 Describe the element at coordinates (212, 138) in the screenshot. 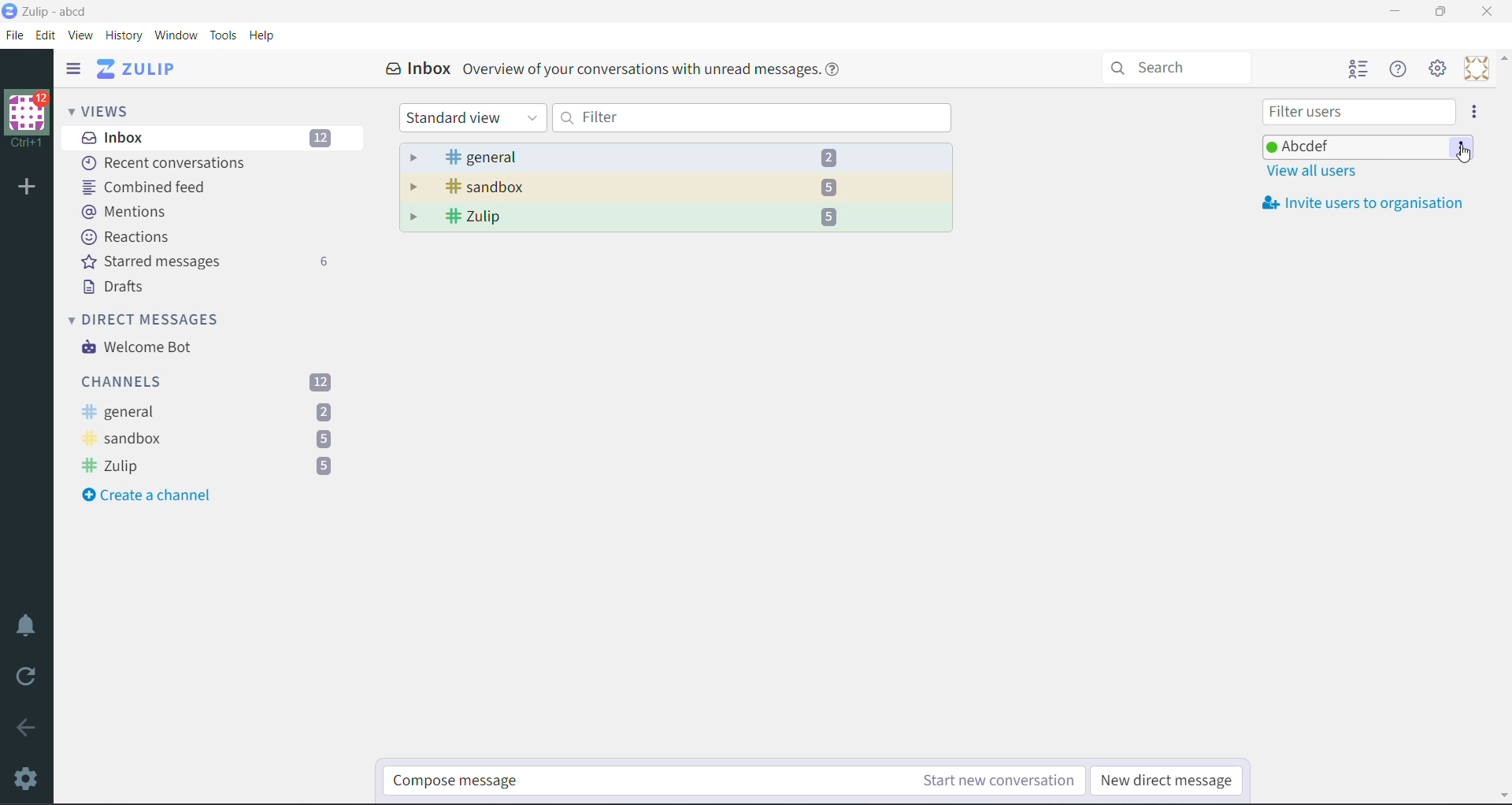

I see `Inbox` at that location.